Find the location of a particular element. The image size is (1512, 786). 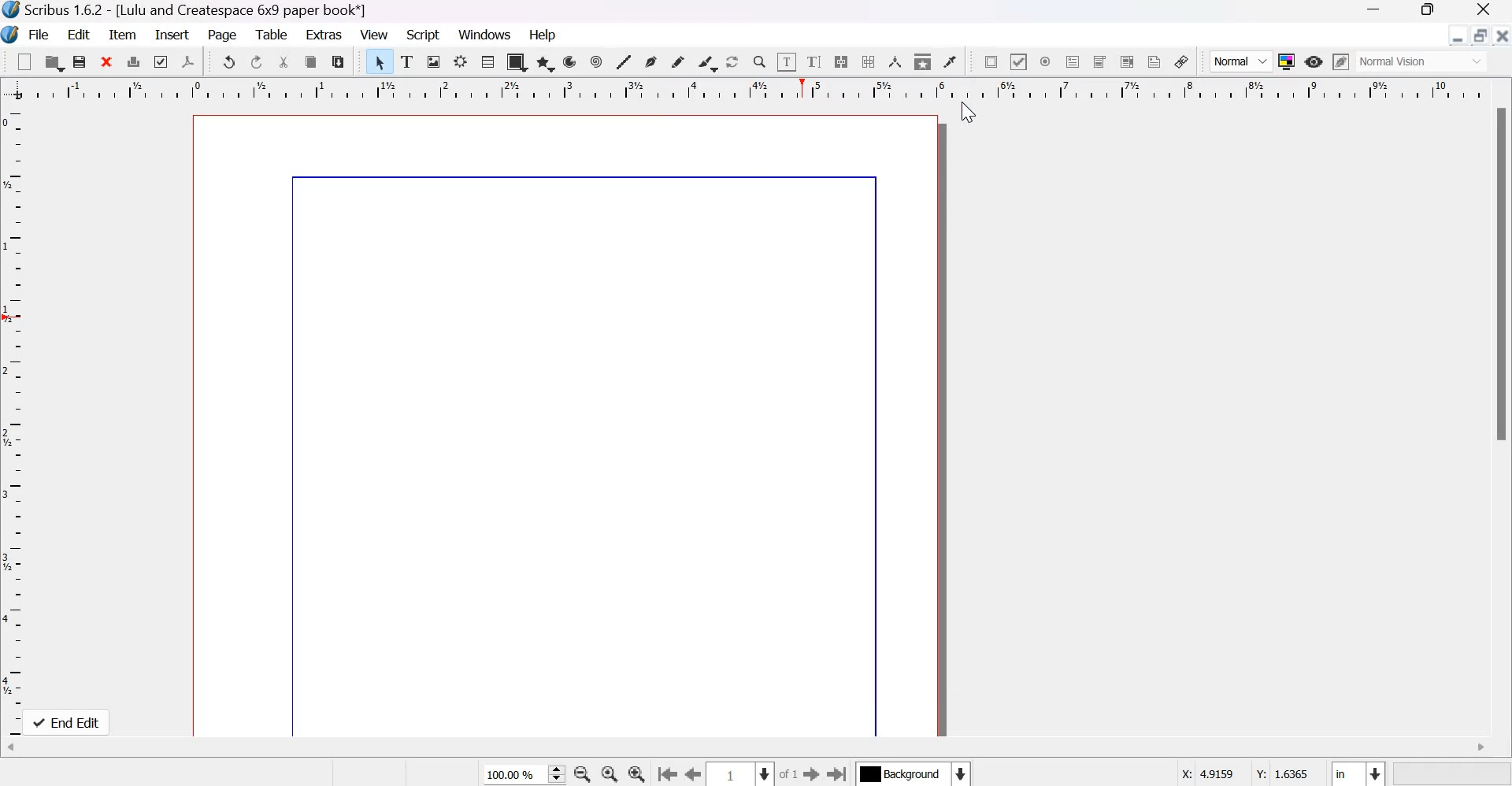

File is located at coordinates (38, 34).